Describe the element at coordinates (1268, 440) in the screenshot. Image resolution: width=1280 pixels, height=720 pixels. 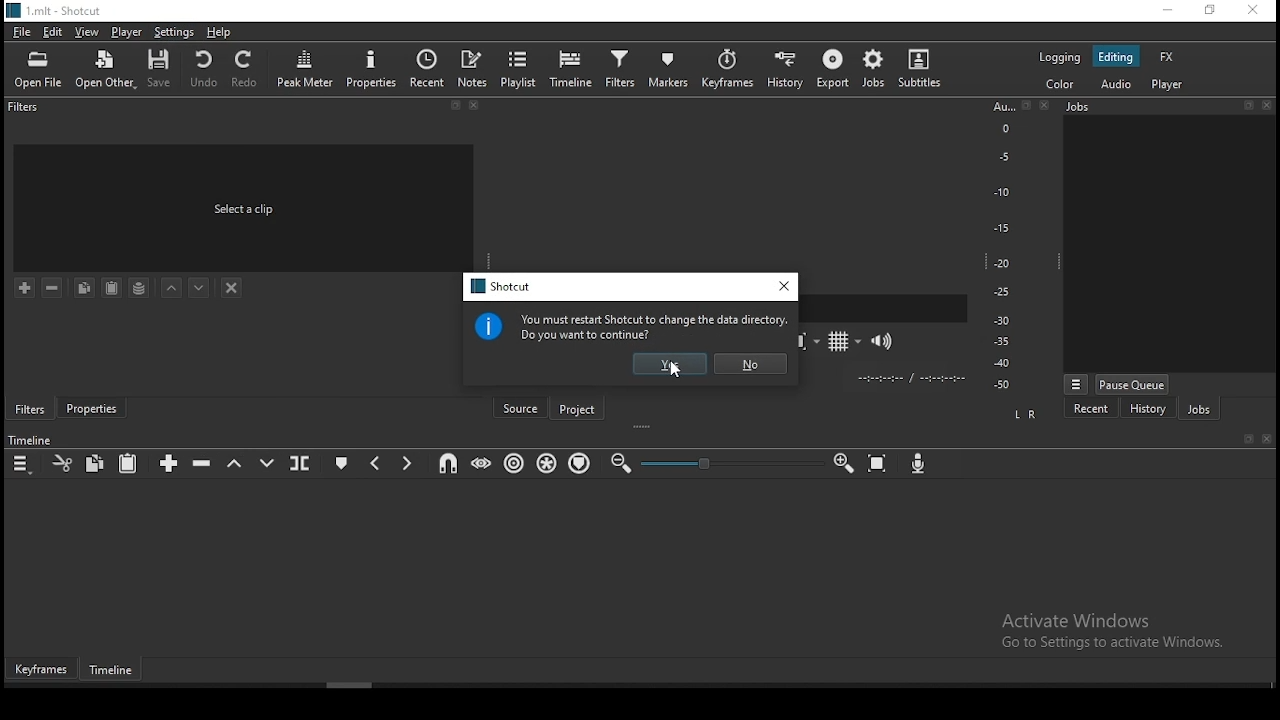
I see `close` at that location.